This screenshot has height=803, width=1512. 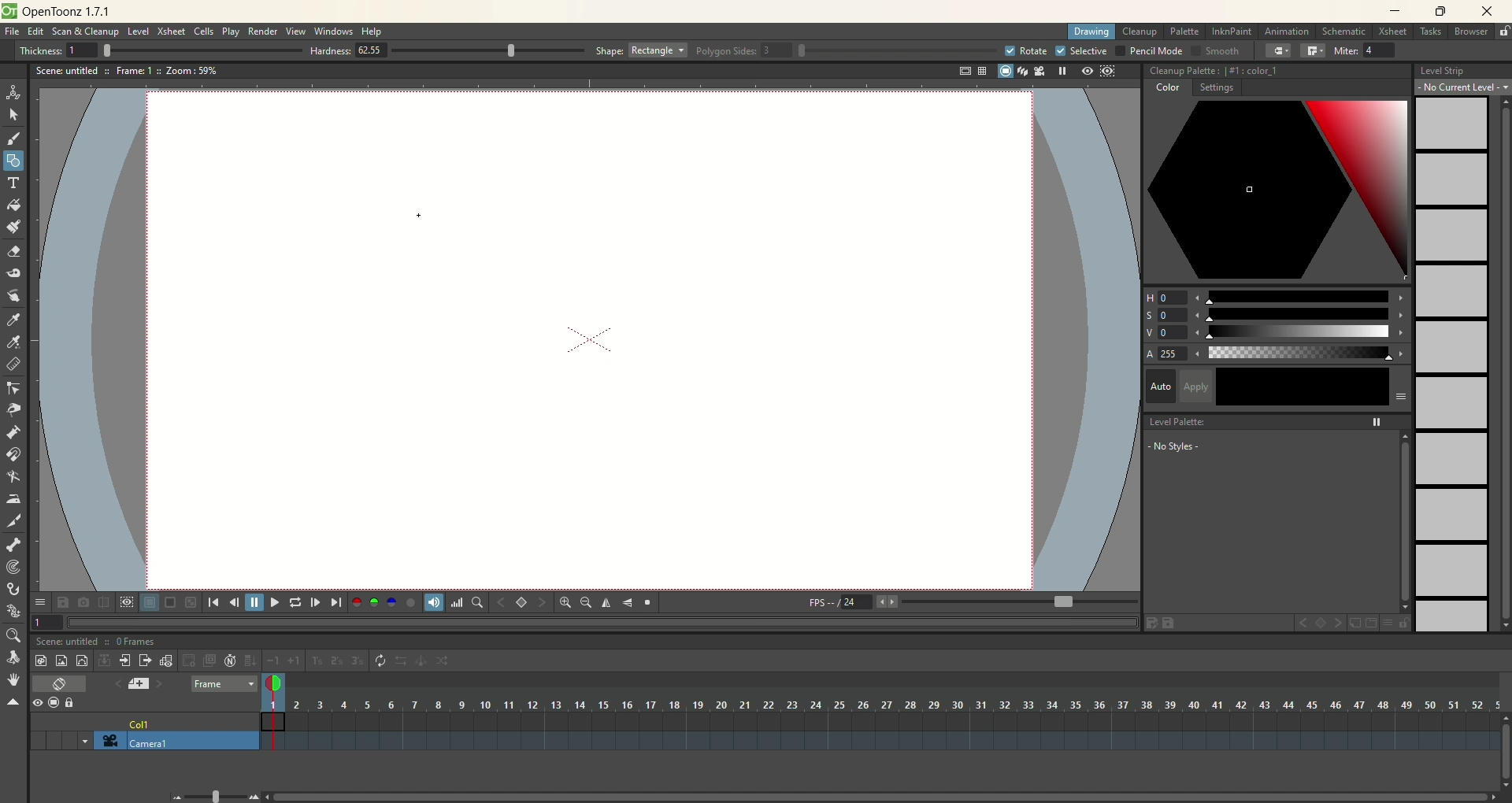 What do you see at coordinates (380, 661) in the screenshot?
I see `repeat` at bounding box center [380, 661].